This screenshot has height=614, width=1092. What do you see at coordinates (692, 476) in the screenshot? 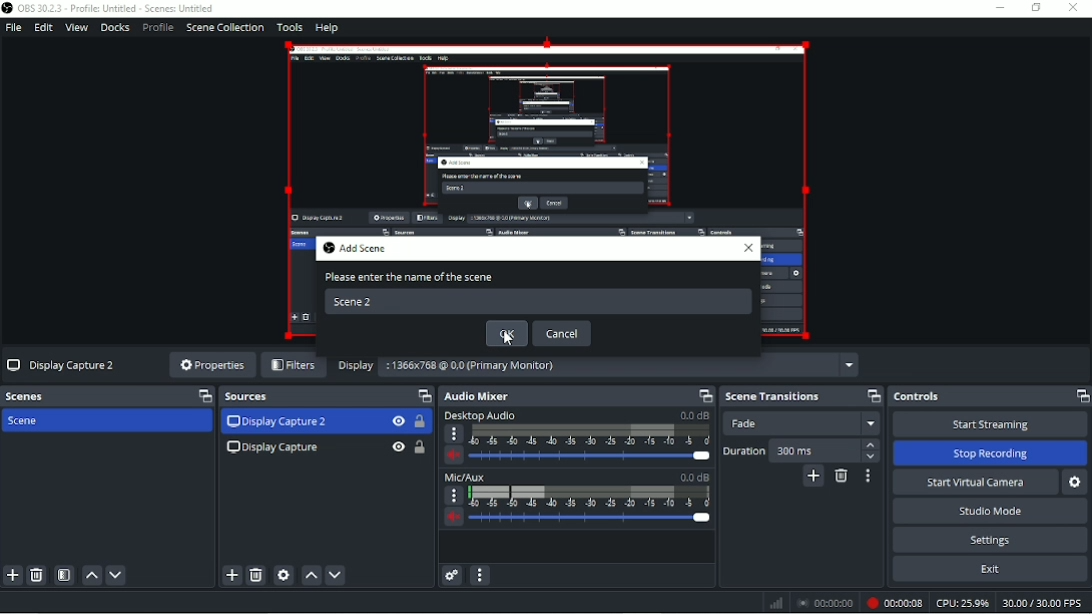
I see `0.0 dB` at bounding box center [692, 476].